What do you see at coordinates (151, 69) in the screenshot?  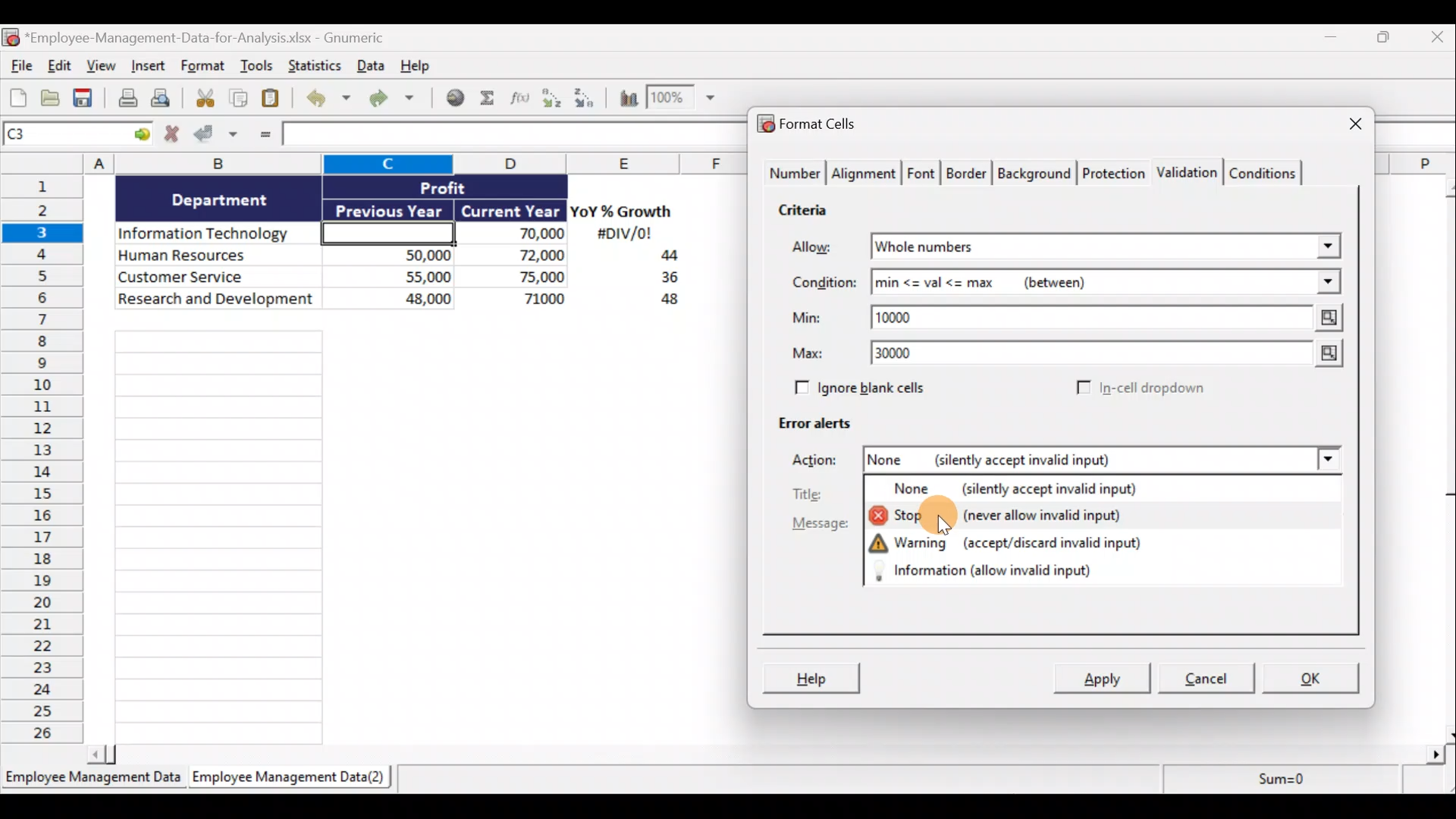 I see `Insert` at bounding box center [151, 69].